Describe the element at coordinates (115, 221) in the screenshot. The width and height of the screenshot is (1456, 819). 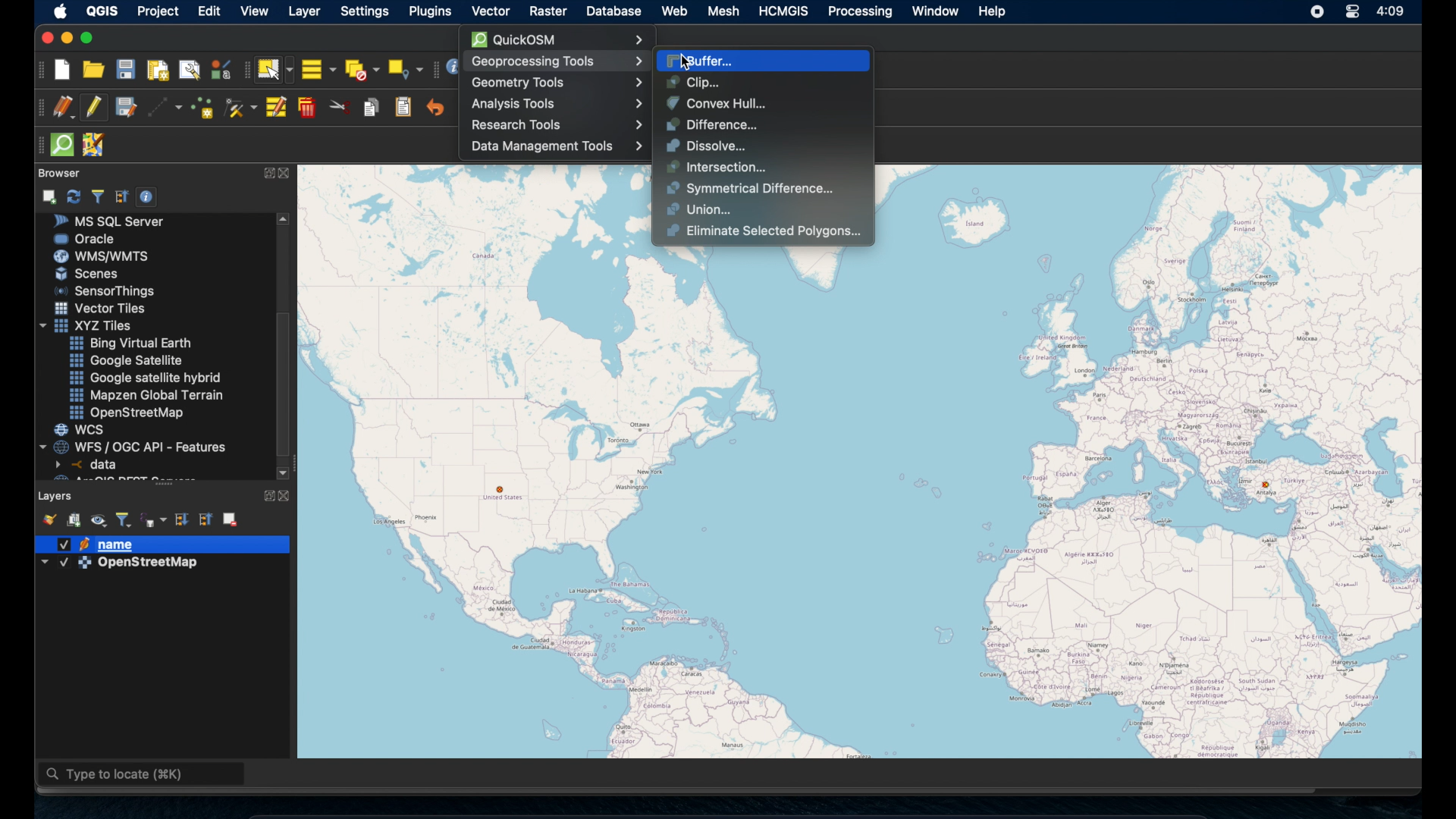
I see `ms sql server` at that location.